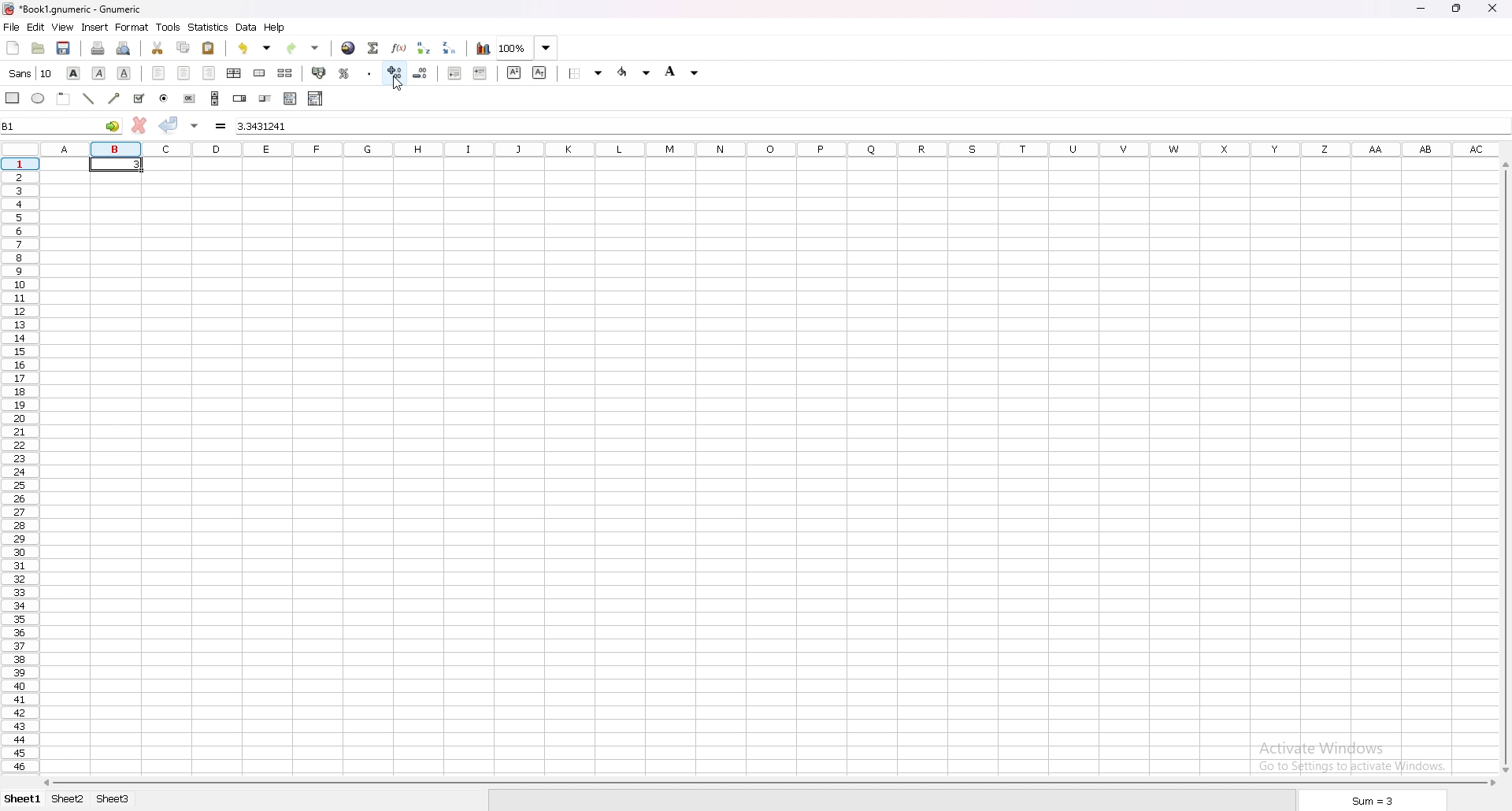  What do you see at coordinates (124, 74) in the screenshot?
I see `underline` at bounding box center [124, 74].